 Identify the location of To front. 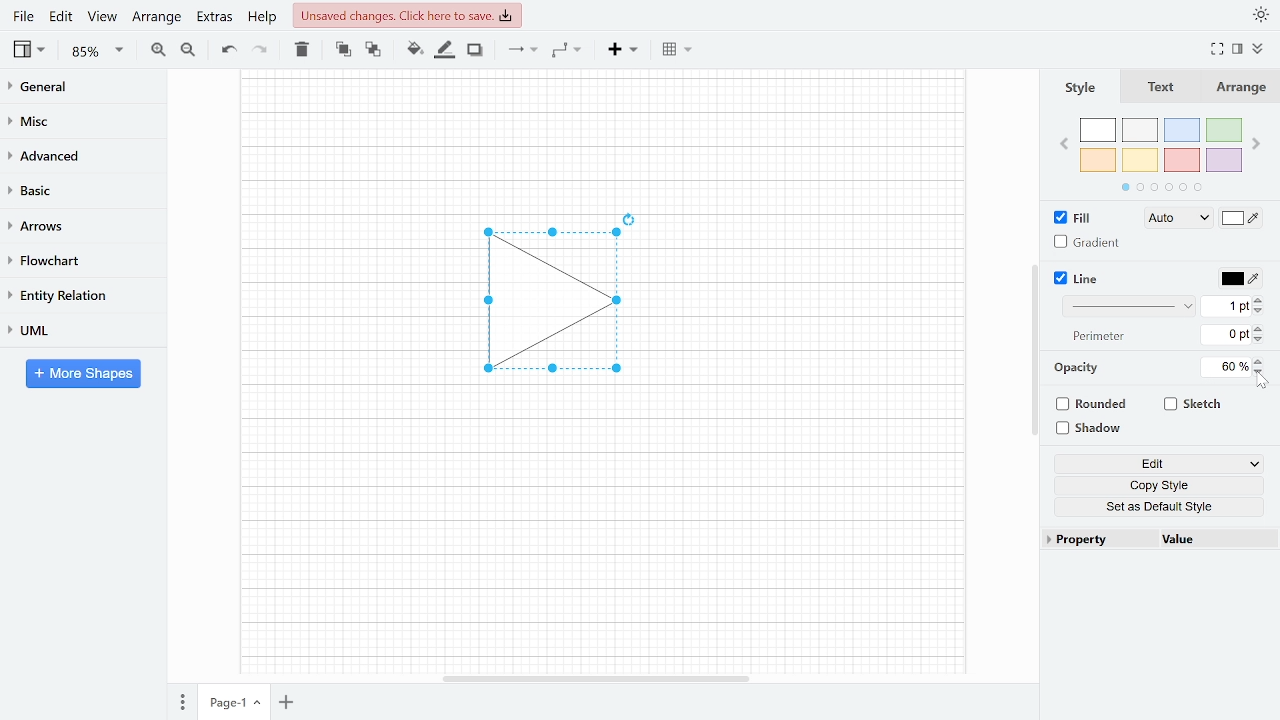
(343, 49).